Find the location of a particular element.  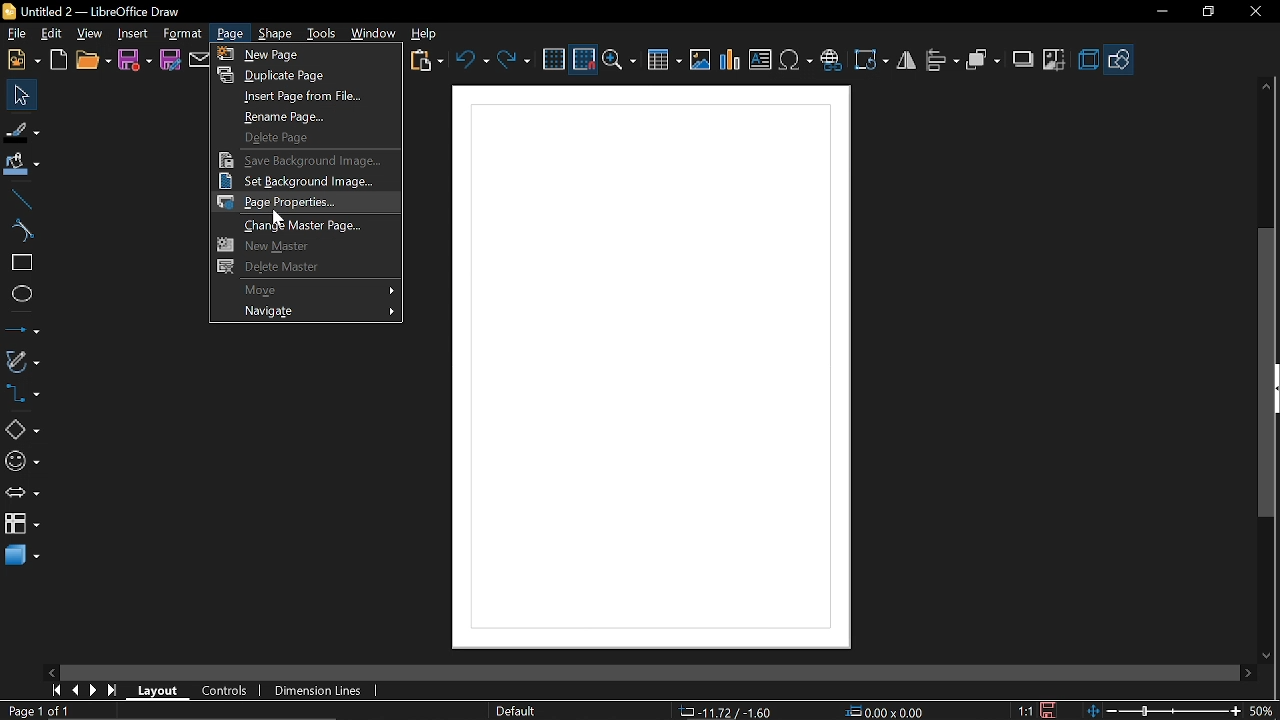

Curves and polygons is located at coordinates (22, 364).